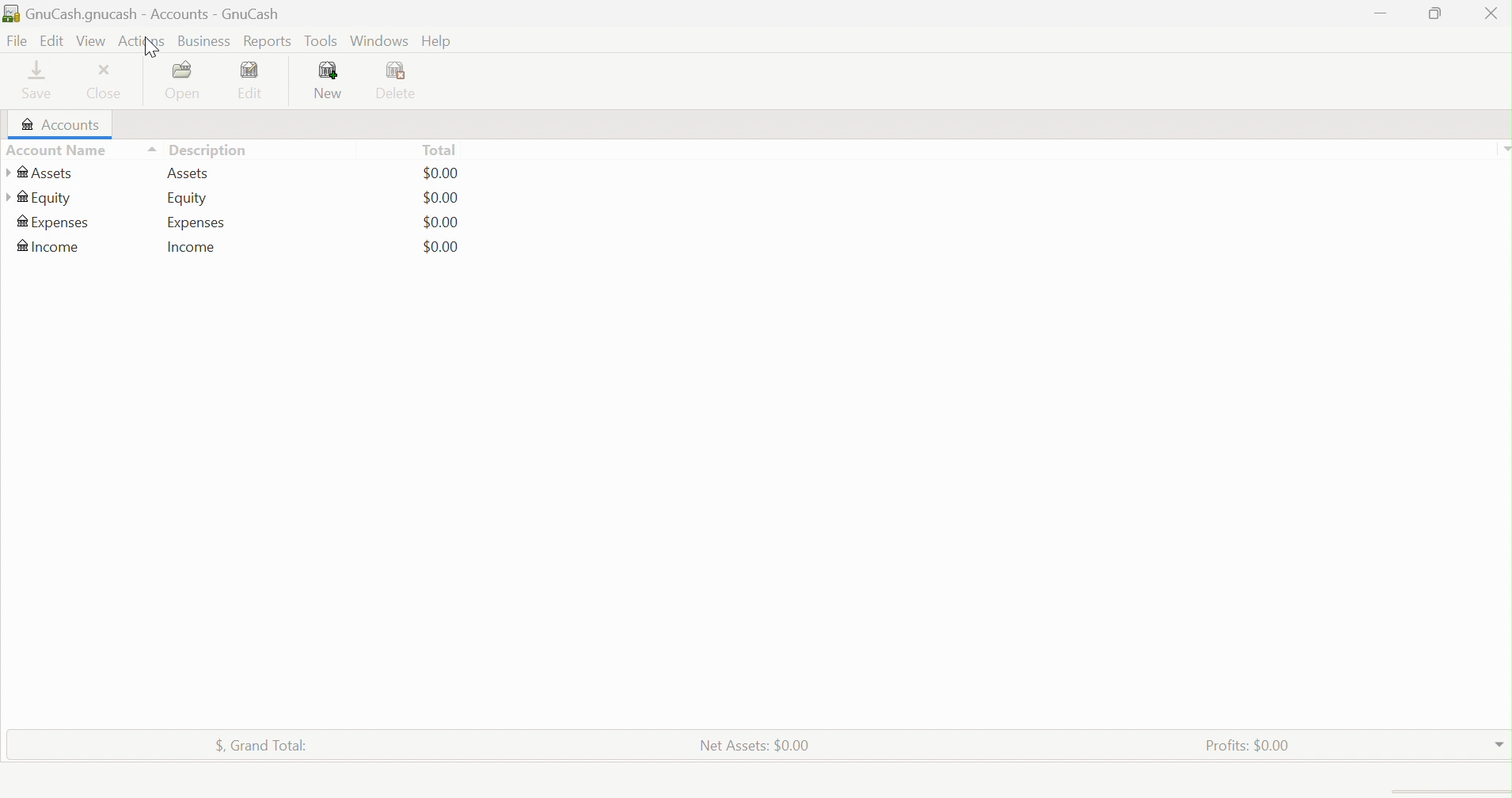  What do you see at coordinates (91, 41) in the screenshot?
I see `View` at bounding box center [91, 41].